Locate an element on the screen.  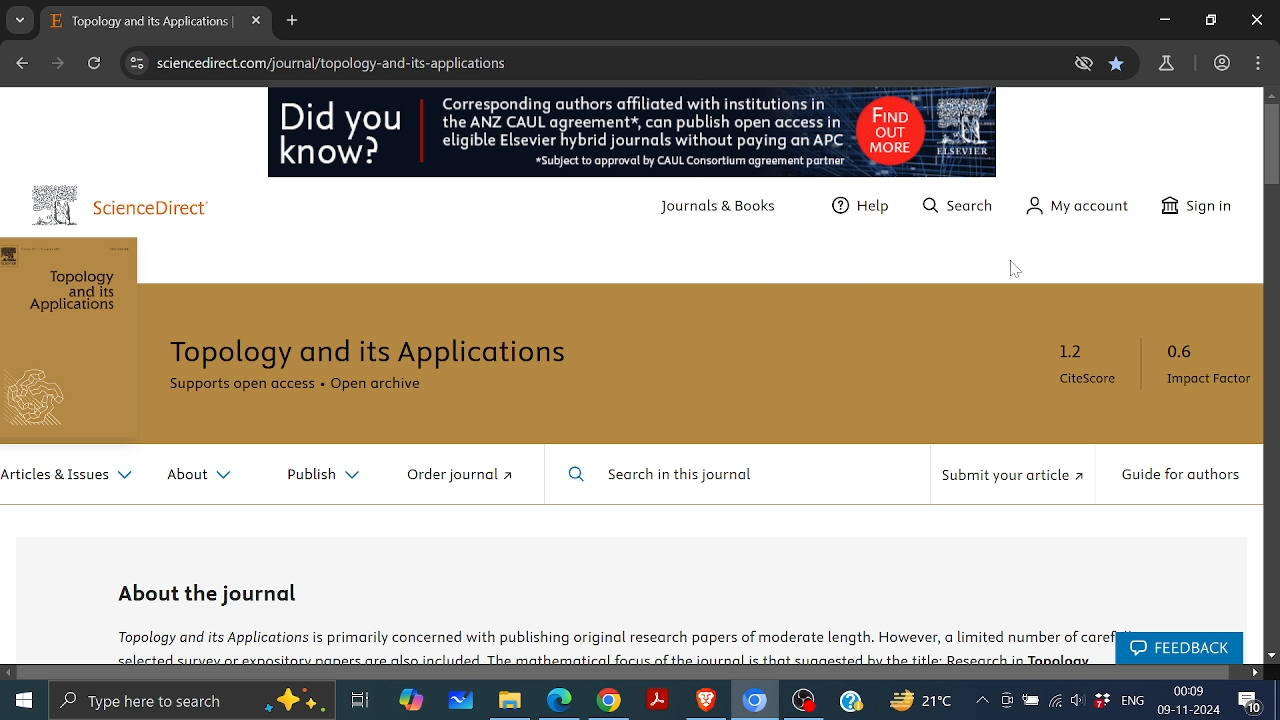
Brave browser is located at coordinates (707, 701).